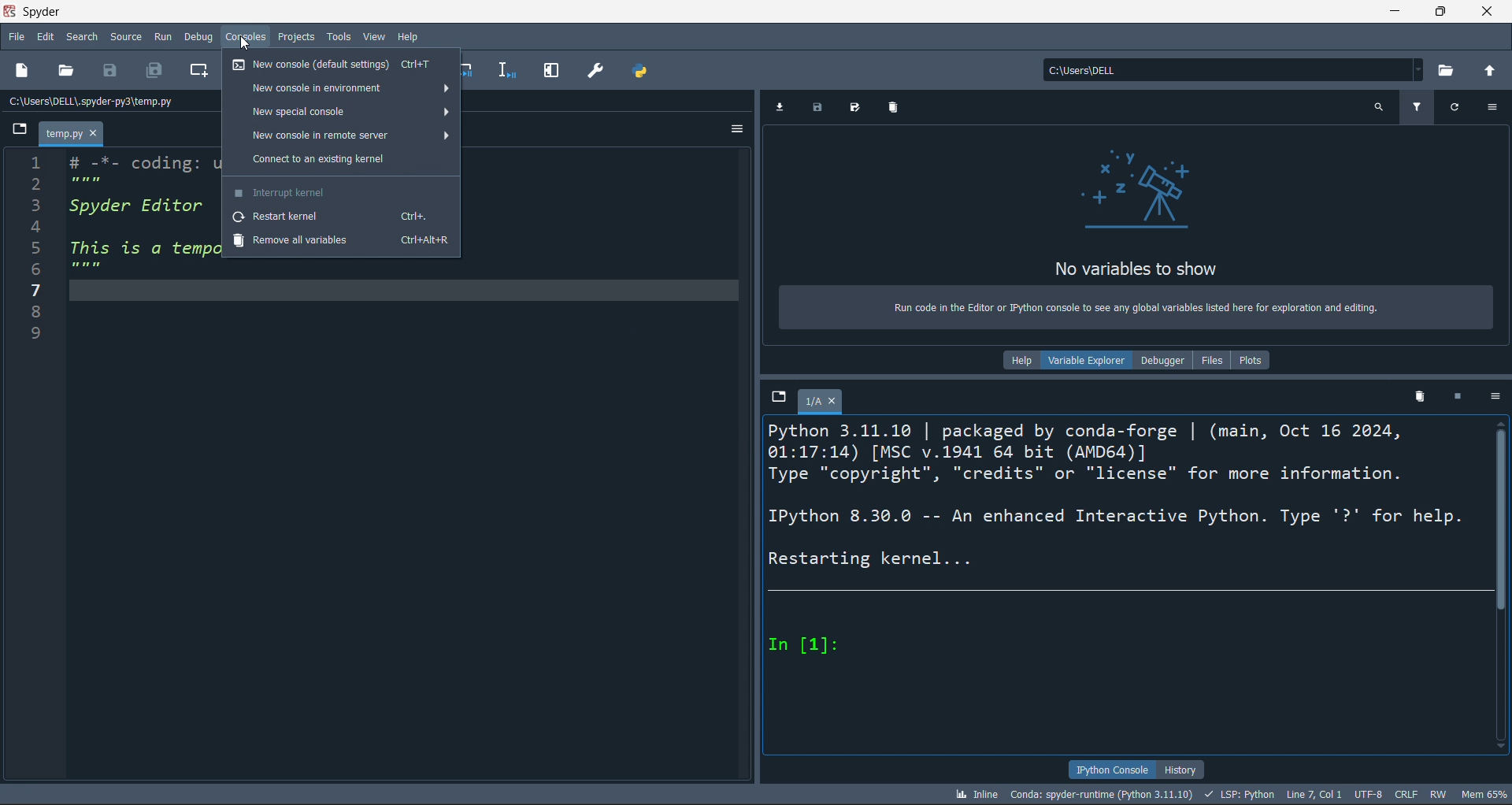 The height and width of the screenshot is (805, 1512). I want to click on conda: spyder-runtime (python 3.11.10), so click(1100, 795).